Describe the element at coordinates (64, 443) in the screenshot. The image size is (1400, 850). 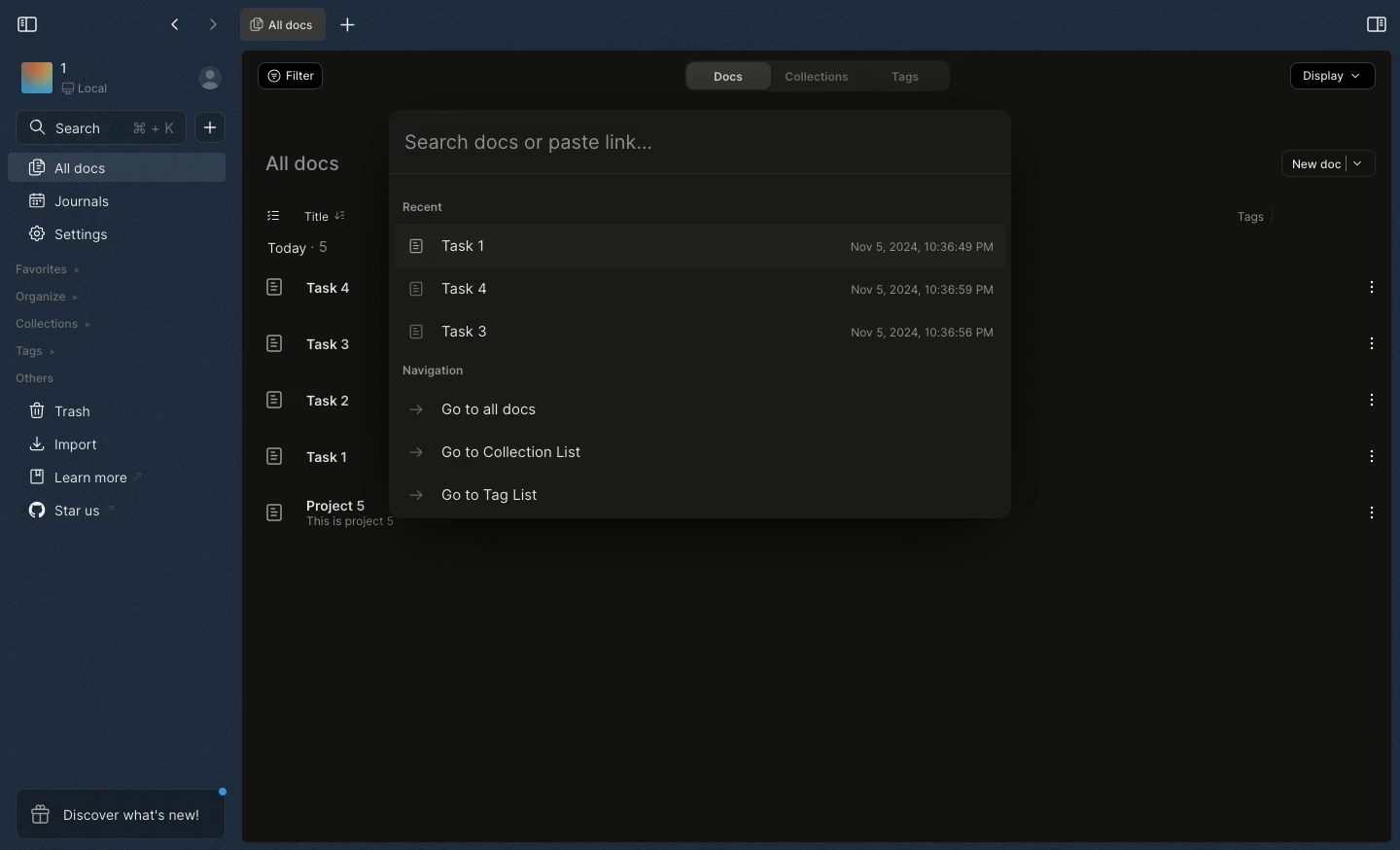
I see `Import` at that location.